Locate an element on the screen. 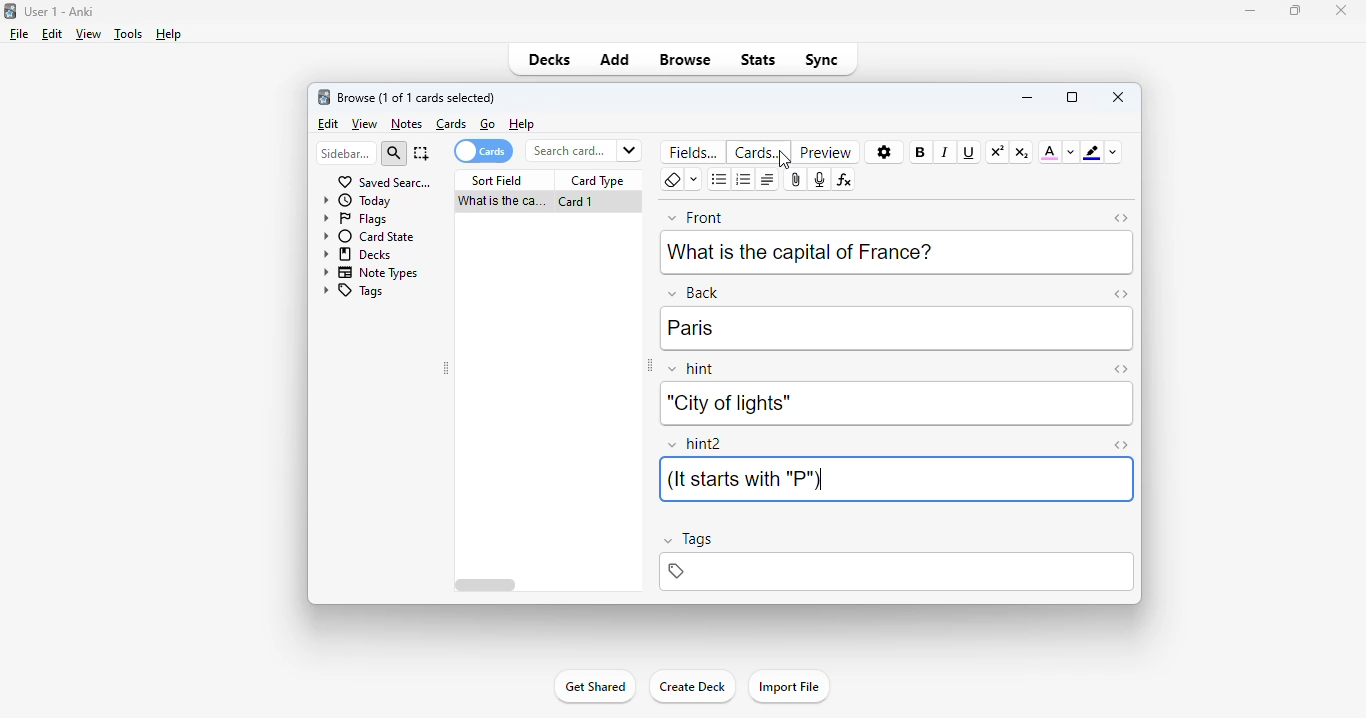  bold is located at coordinates (919, 151).